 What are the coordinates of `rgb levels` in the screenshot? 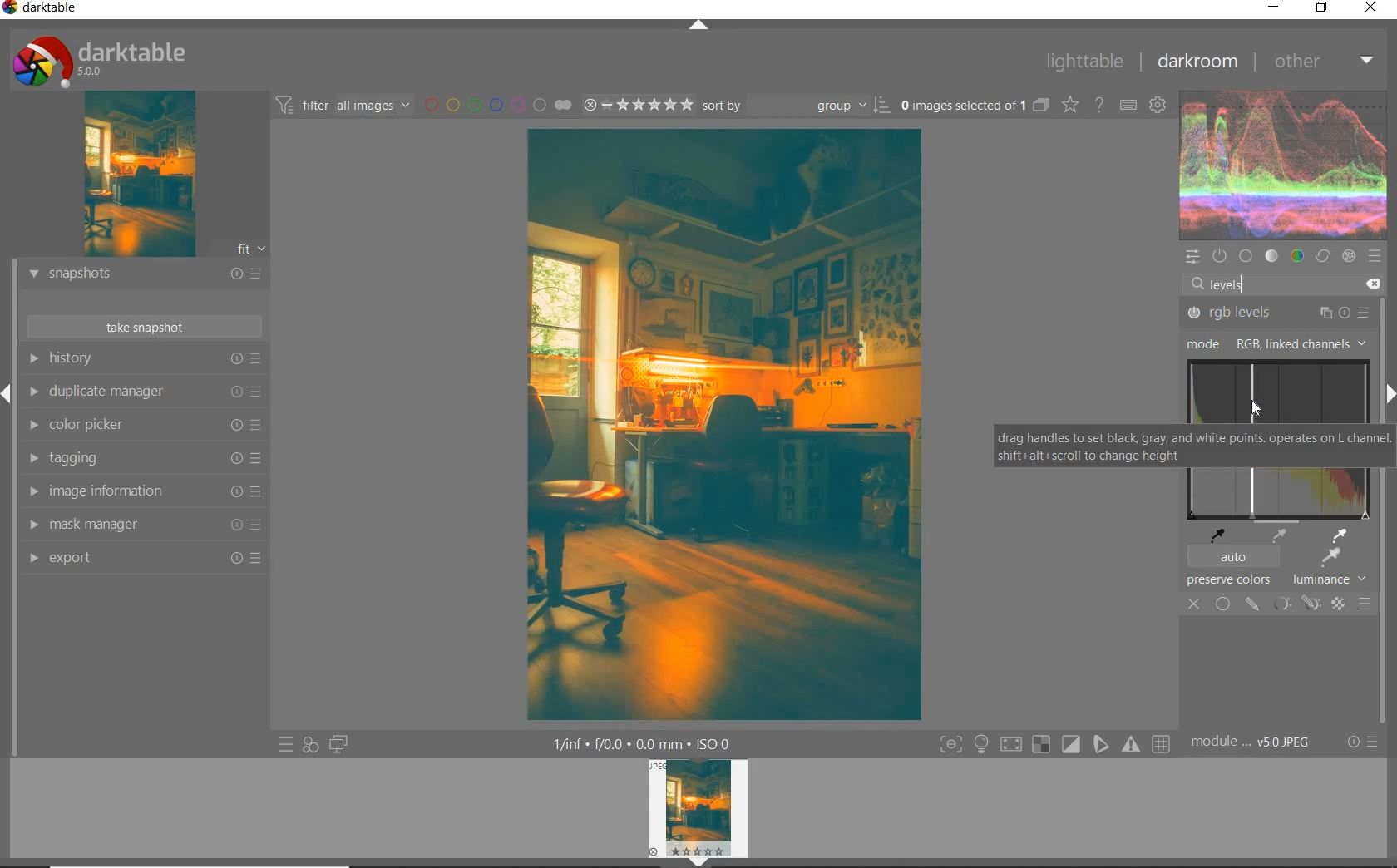 It's located at (1276, 313).